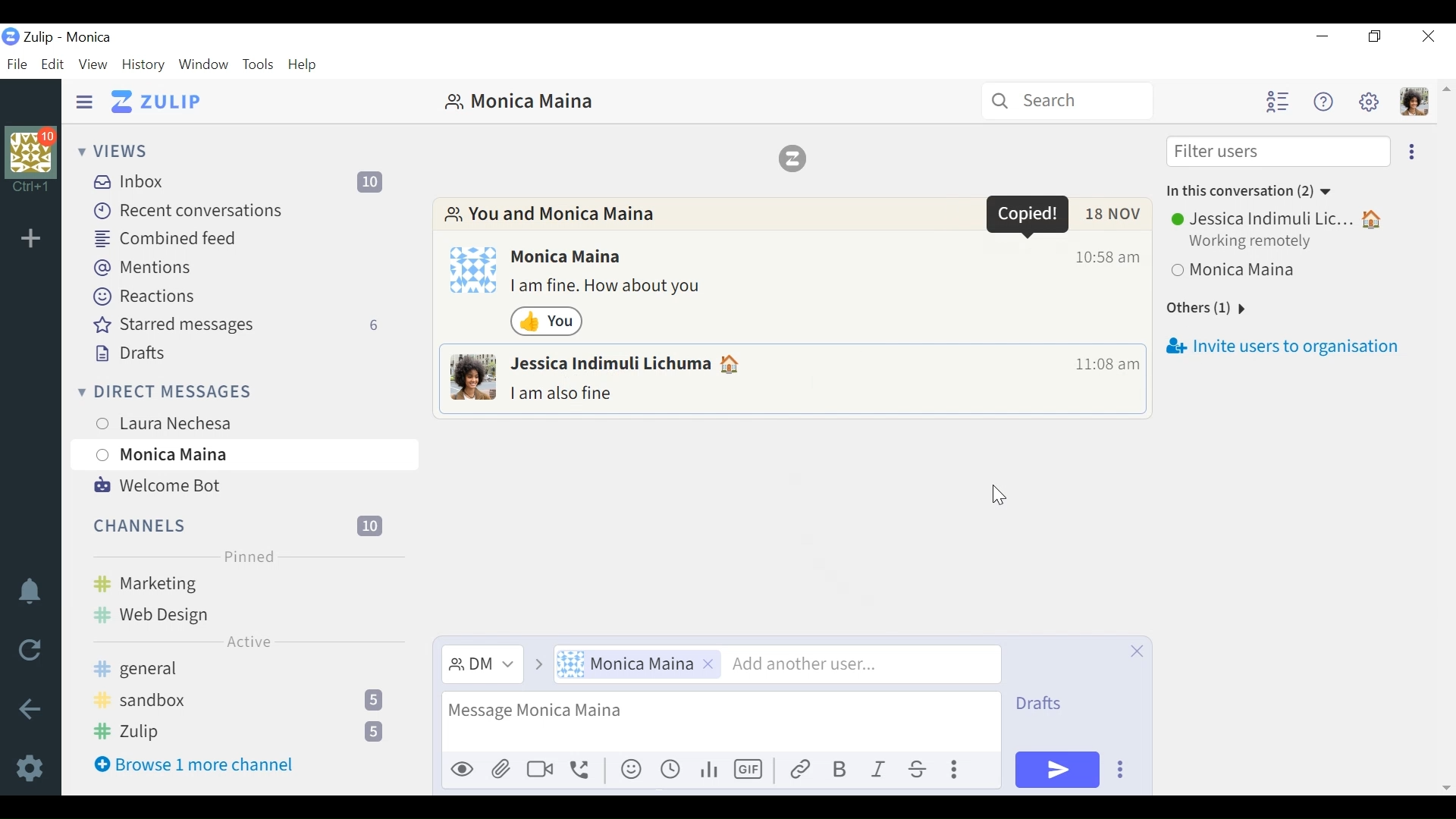 The width and height of the screenshot is (1456, 819). Describe the element at coordinates (190, 209) in the screenshot. I see `Recent conversations` at that location.